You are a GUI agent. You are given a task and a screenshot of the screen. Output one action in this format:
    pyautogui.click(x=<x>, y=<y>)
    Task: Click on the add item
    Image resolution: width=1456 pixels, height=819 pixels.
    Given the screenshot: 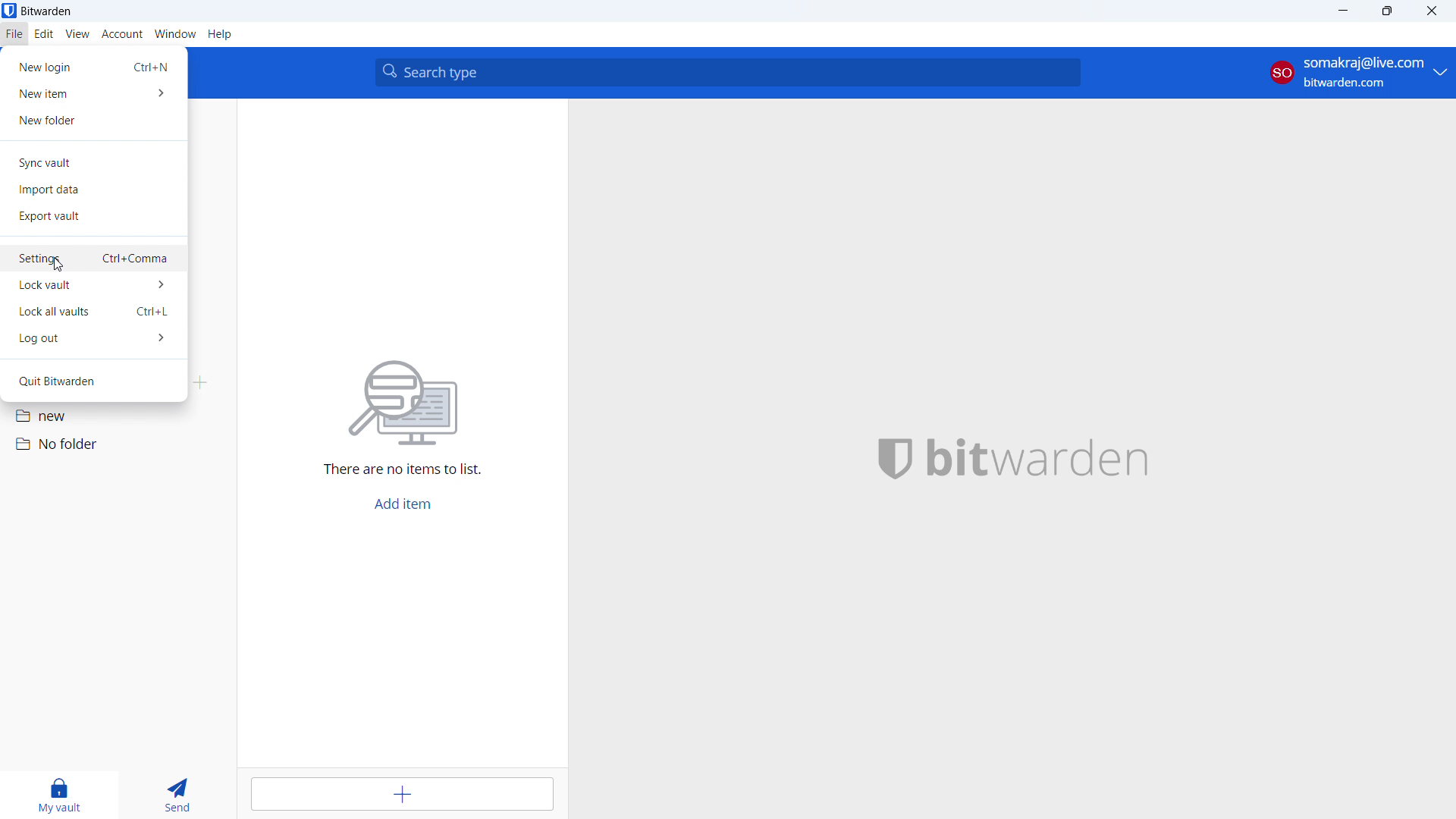 What is the action you would take?
    pyautogui.click(x=403, y=504)
    